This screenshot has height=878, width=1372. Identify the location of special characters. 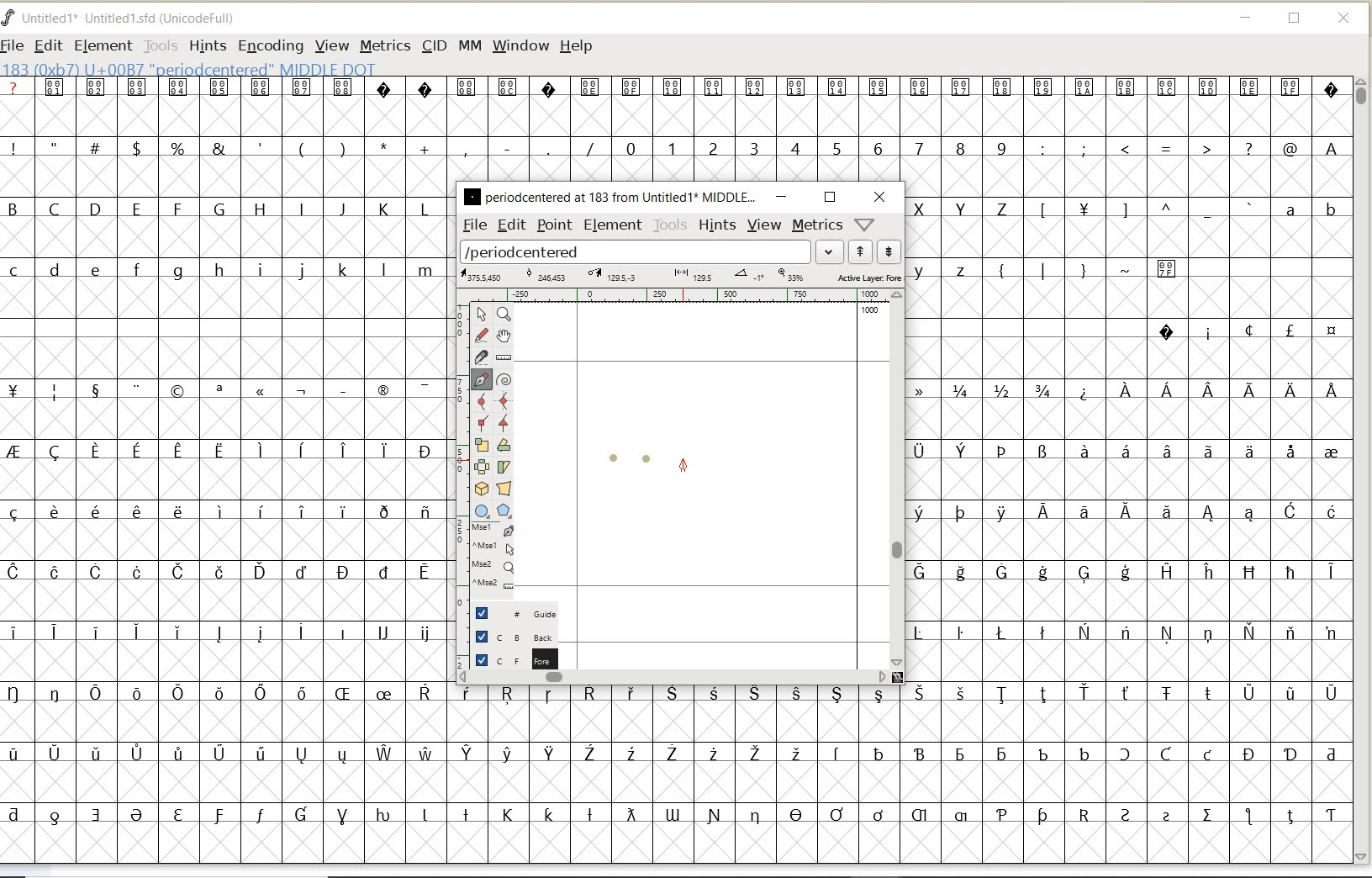
(300, 147).